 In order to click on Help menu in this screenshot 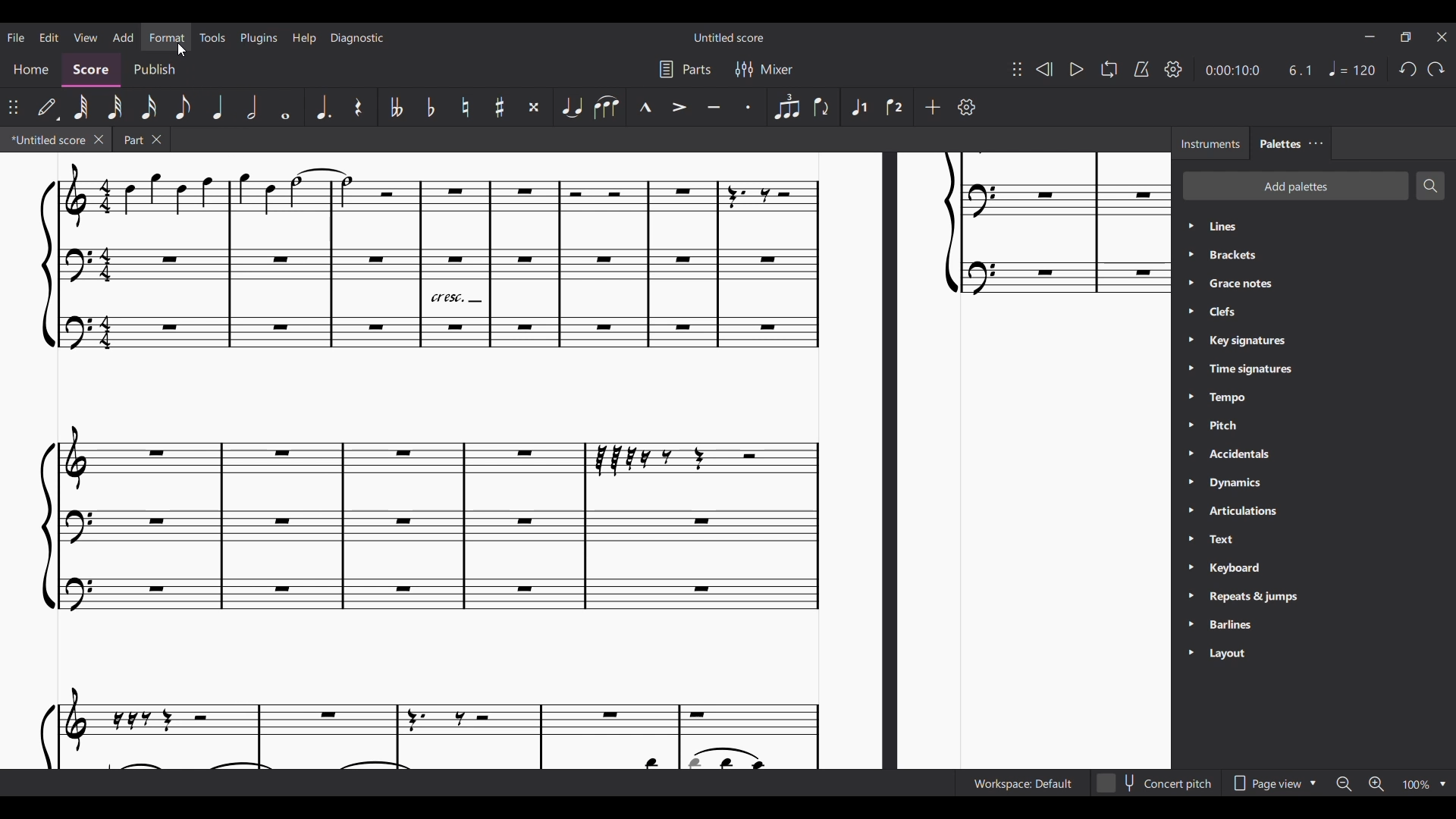, I will do `click(304, 38)`.